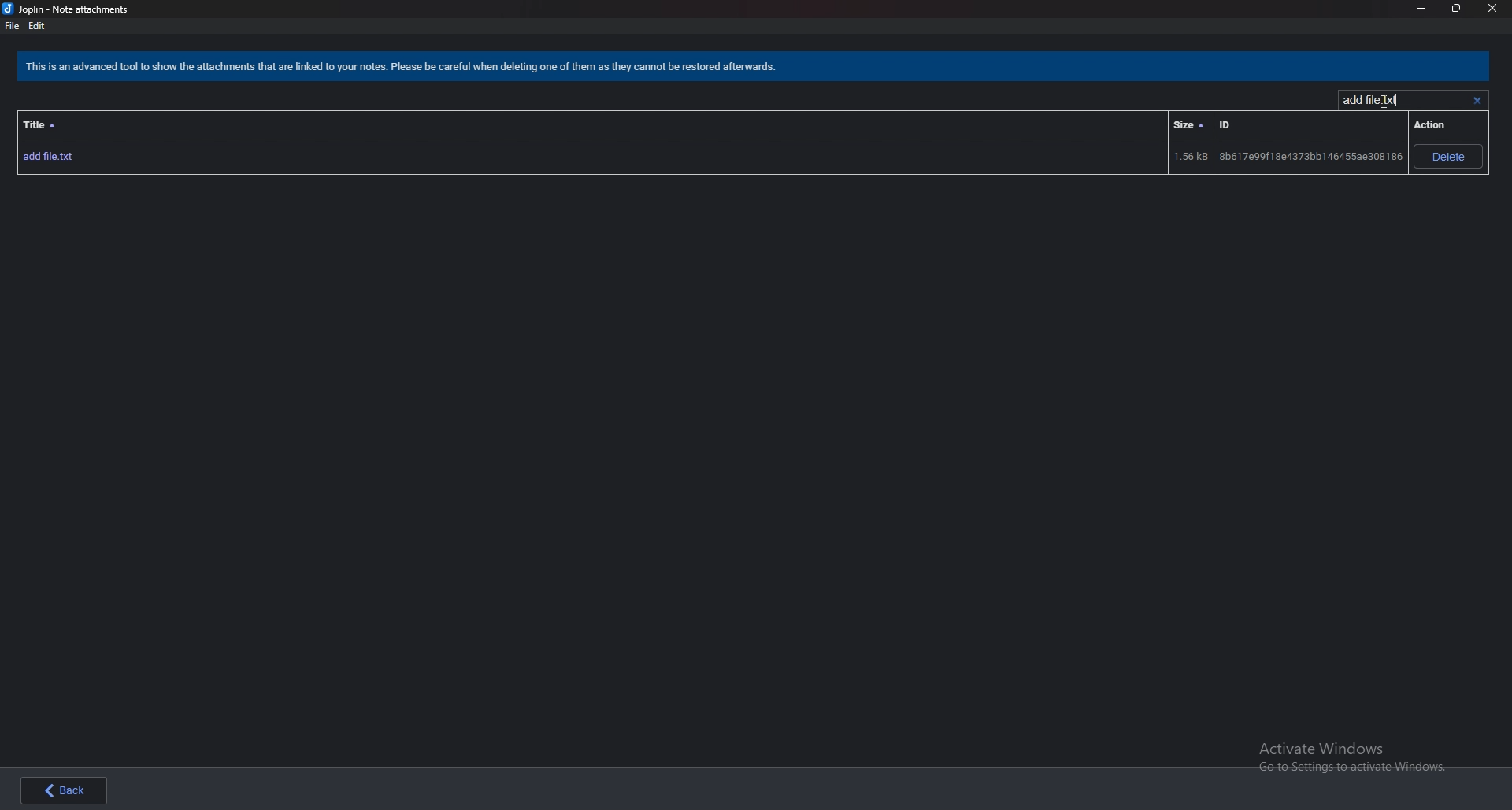 The image size is (1512, 810). Describe the element at coordinates (1437, 124) in the screenshot. I see `Action` at that location.